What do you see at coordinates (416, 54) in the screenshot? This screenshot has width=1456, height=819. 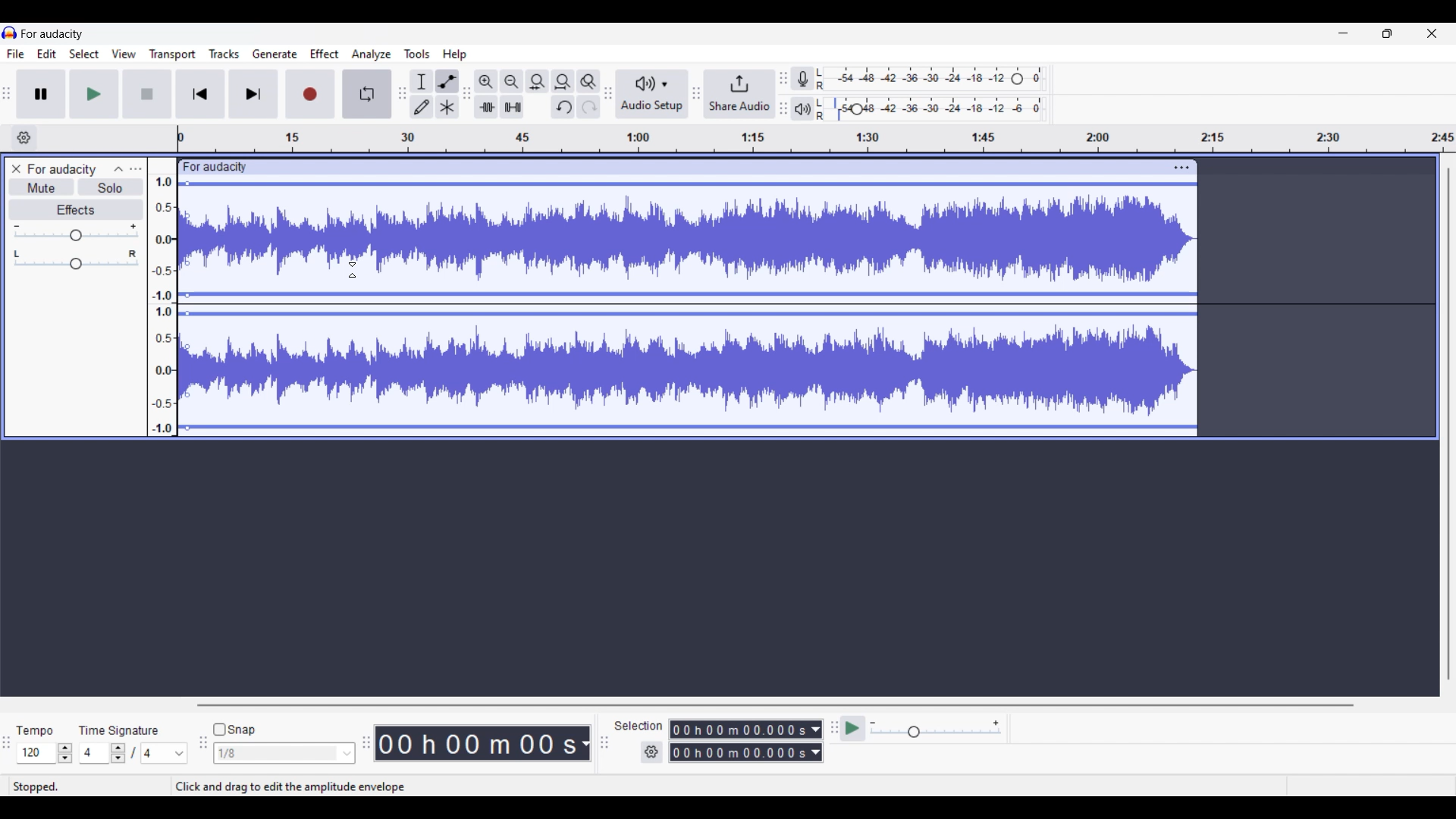 I see `Tools` at bounding box center [416, 54].